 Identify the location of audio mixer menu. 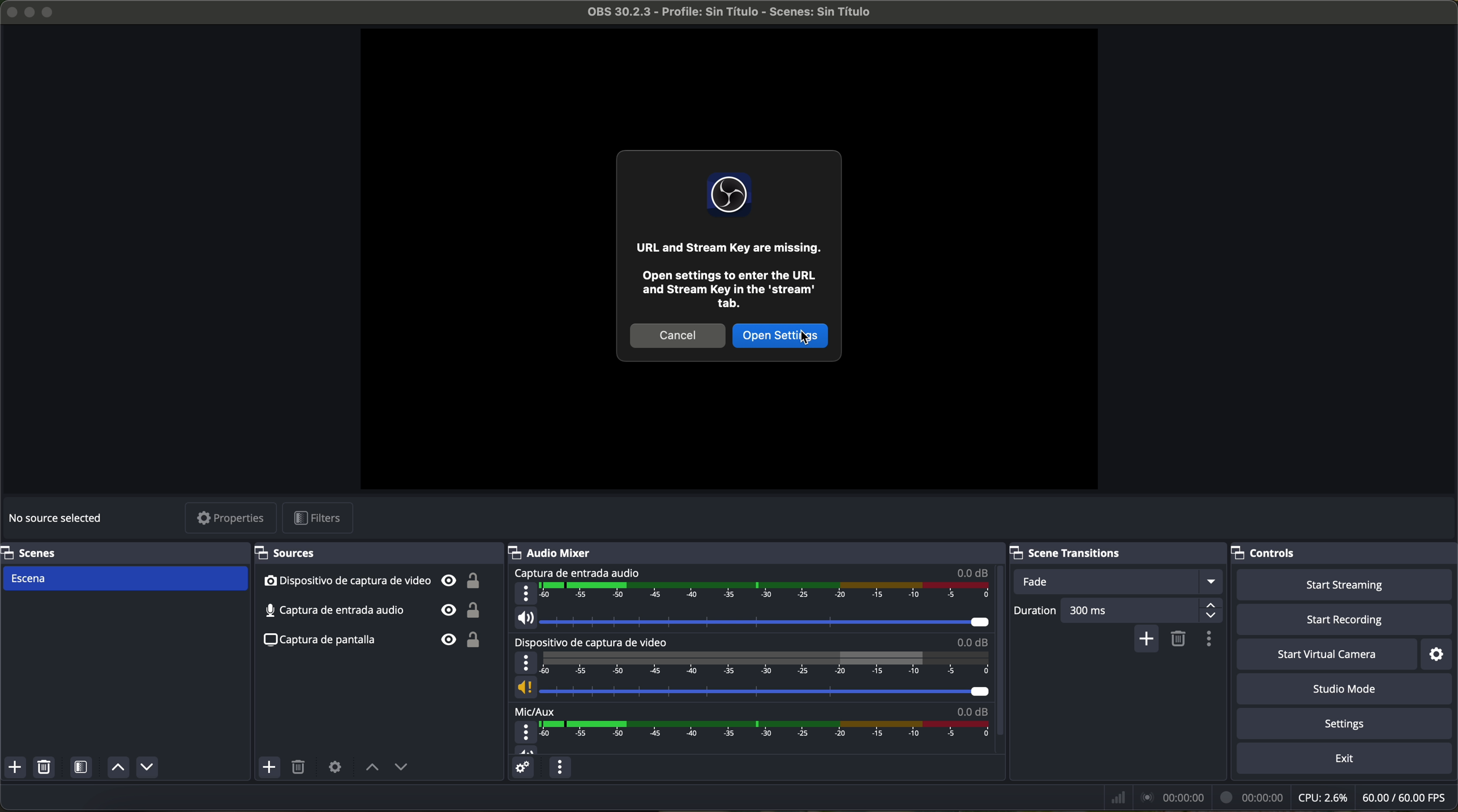
(558, 768).